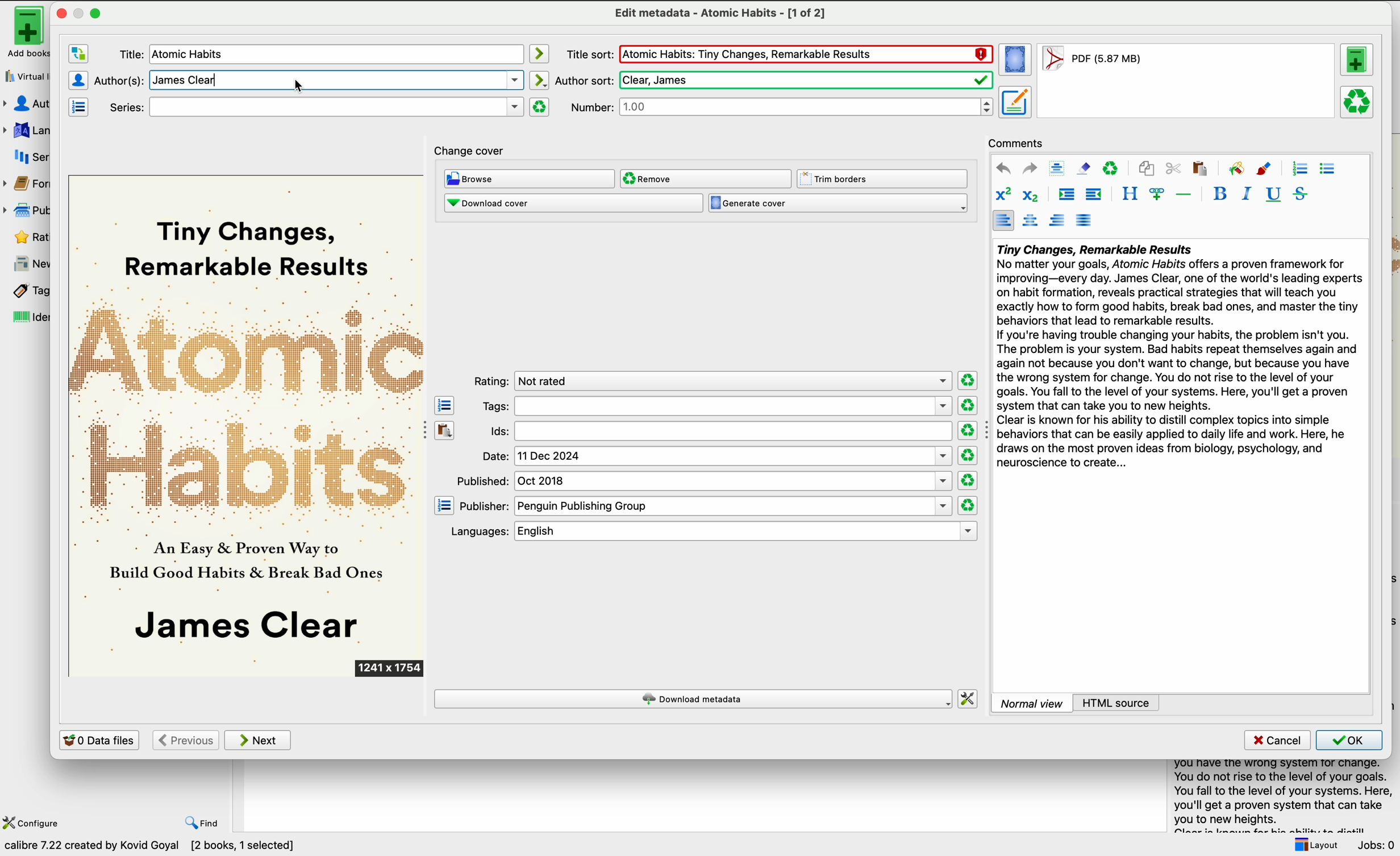  I want to click on clear rating, so click(967, 379).